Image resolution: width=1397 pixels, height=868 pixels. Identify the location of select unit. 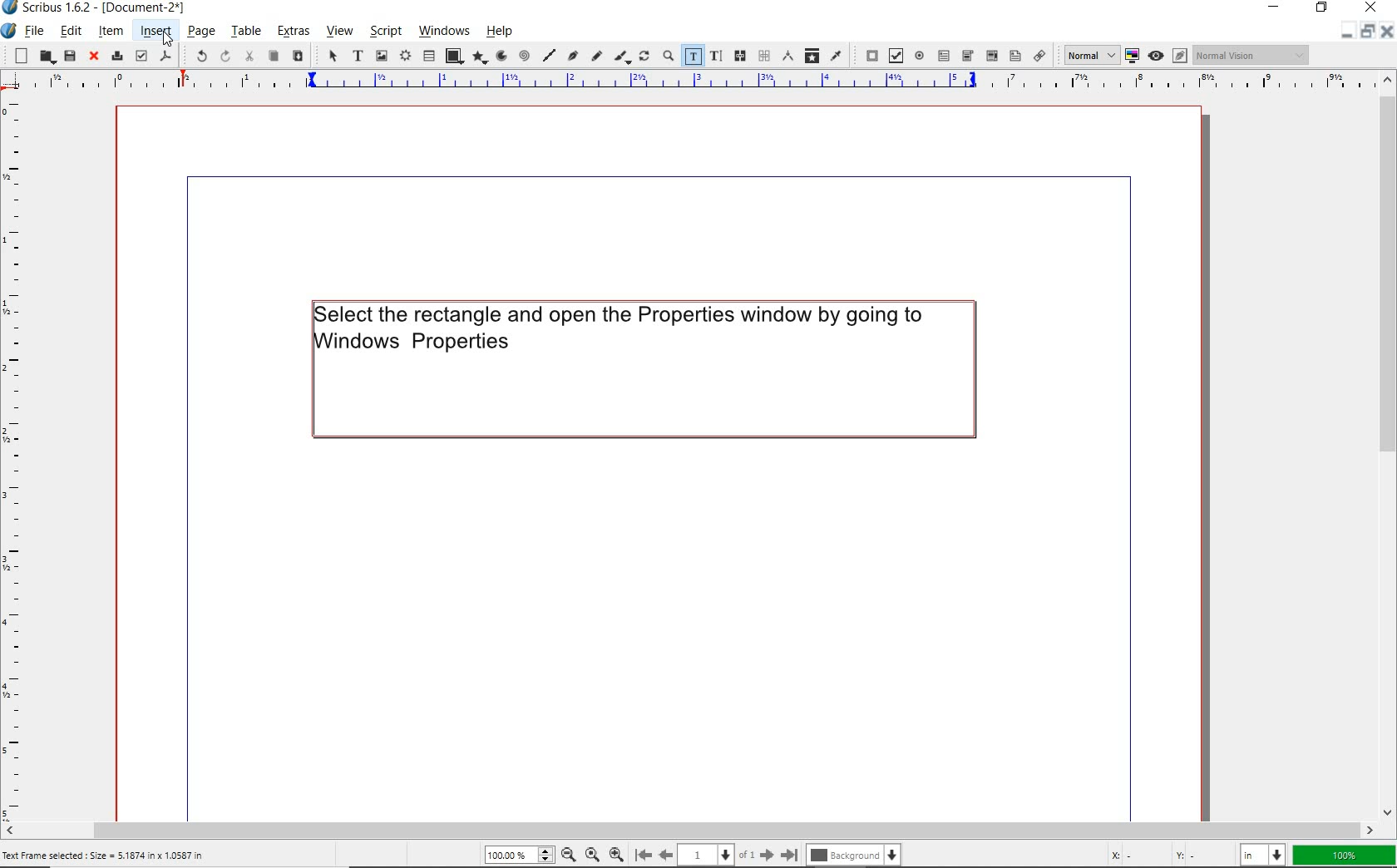
(1264, 855).